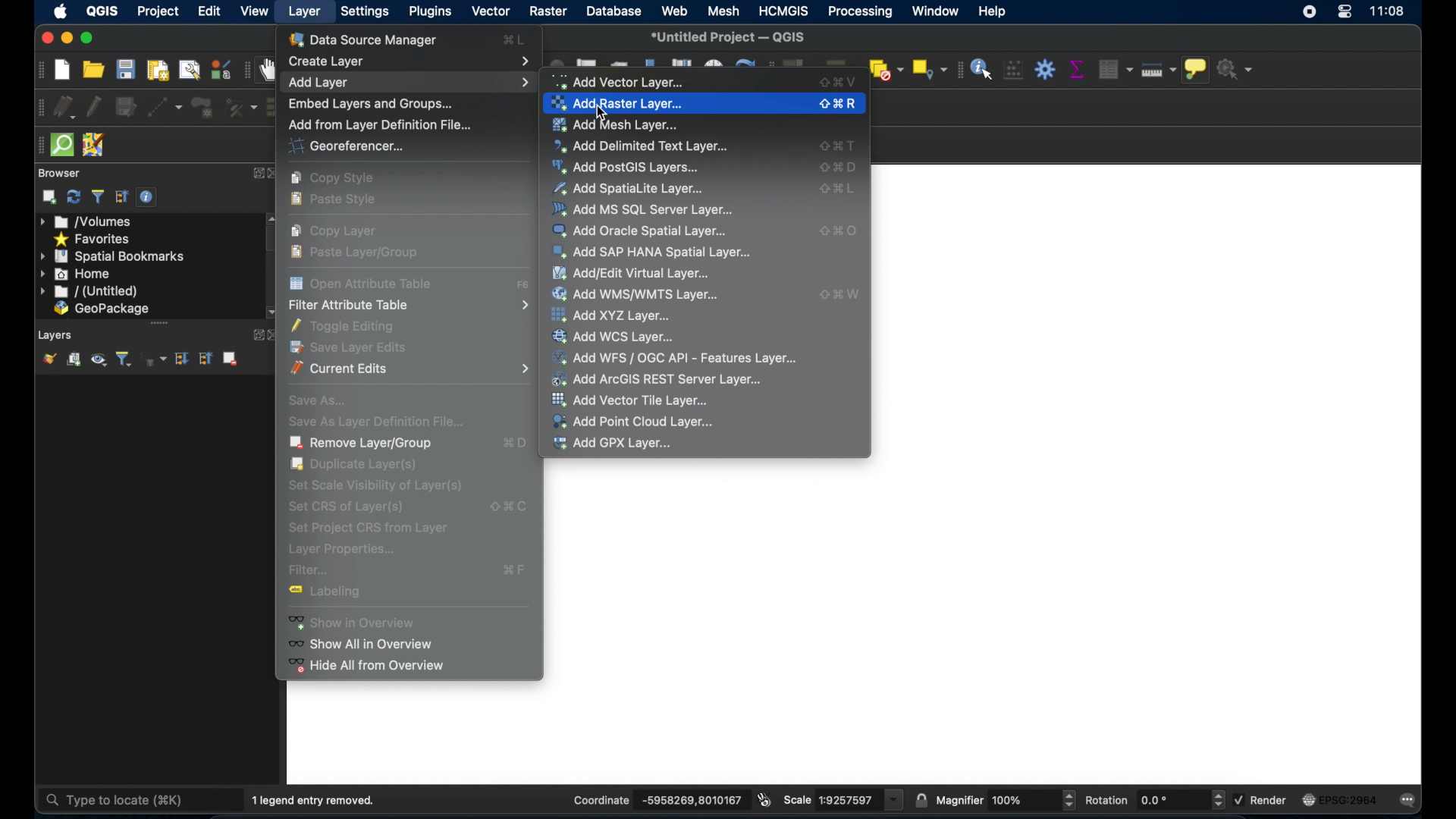  What do you see at coordinates (629, 188) in the screenshot?
I see `add spatiallite layer` at bounding box center [629, 188].